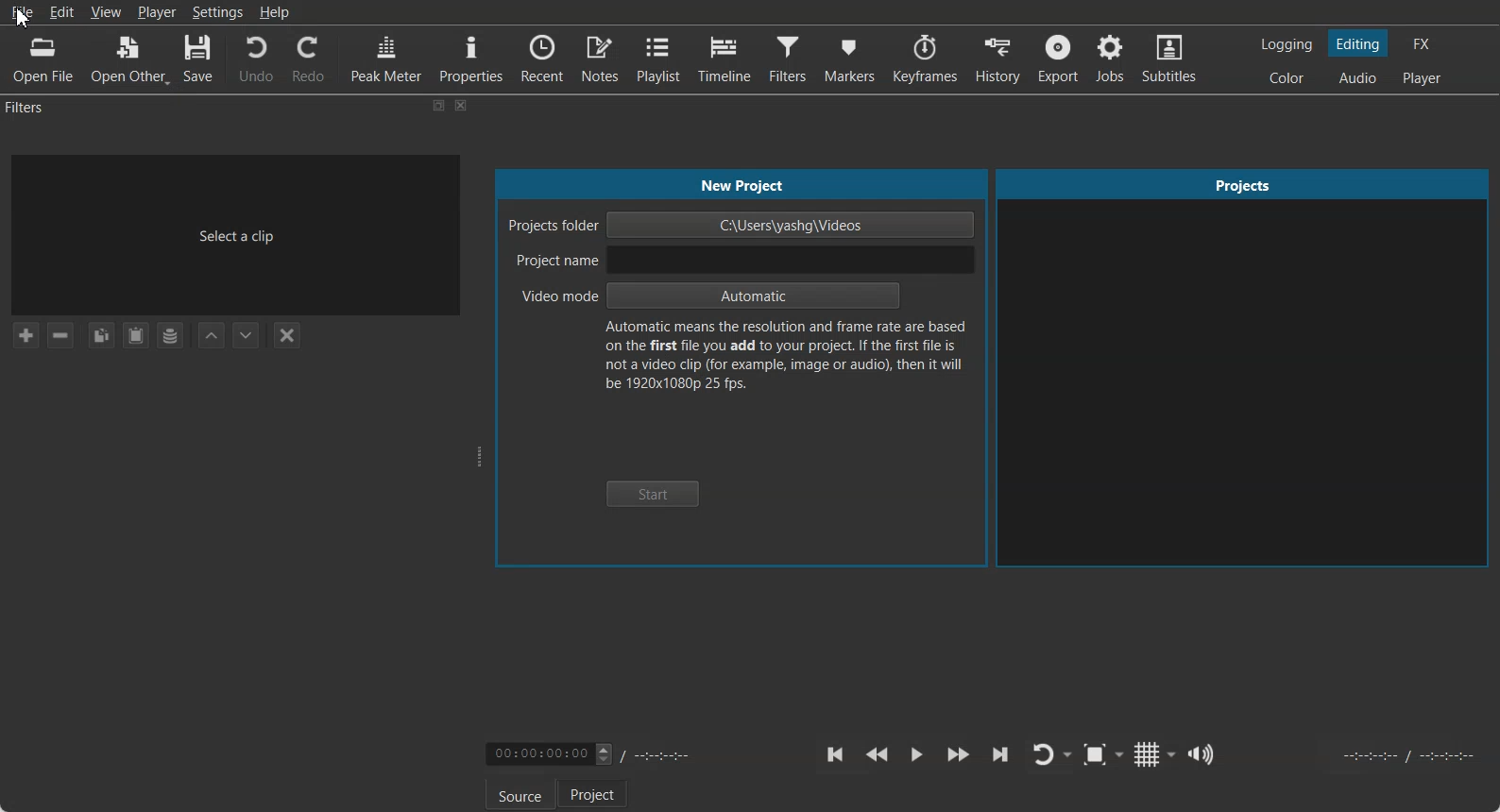 This screenshot has width=1500, height=812. Describe the element at coordinates (1423, 43) in the screenshot. I see `Switching to the Effect layout` at that location.